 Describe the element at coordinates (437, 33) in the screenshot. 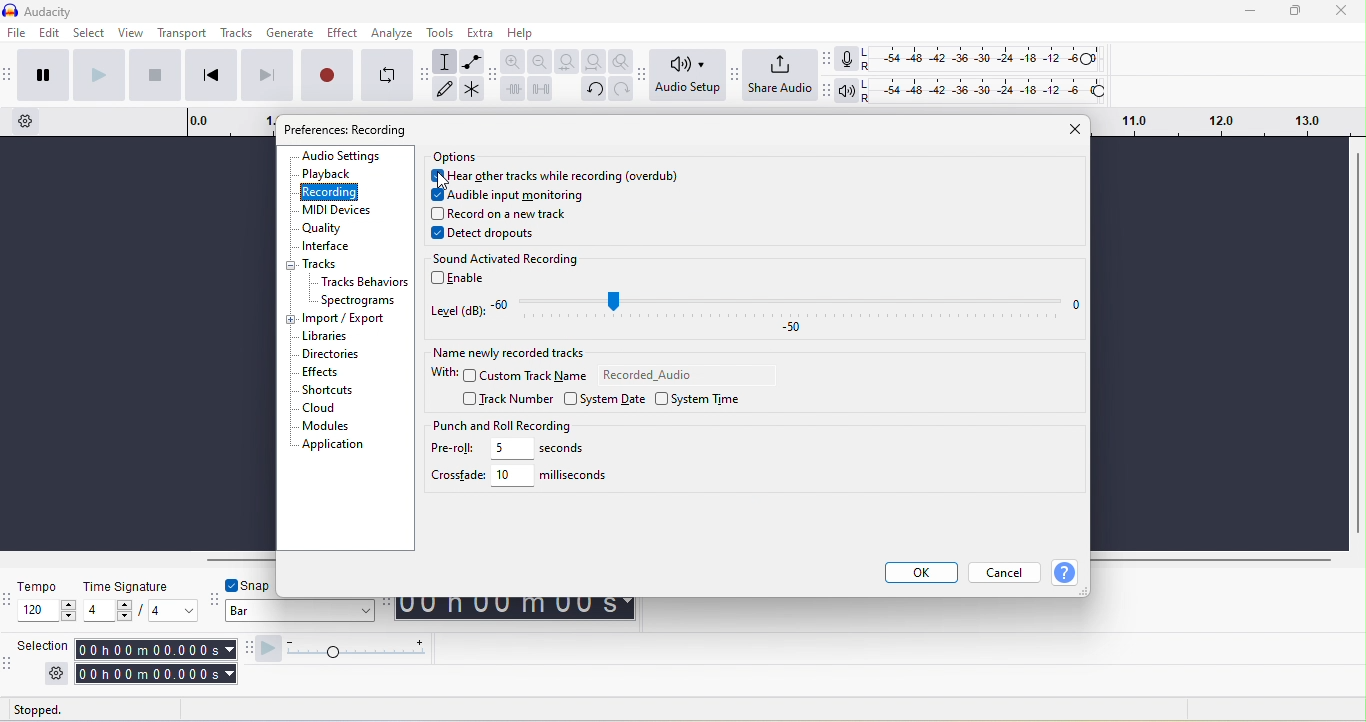

I see `tools` at that location.